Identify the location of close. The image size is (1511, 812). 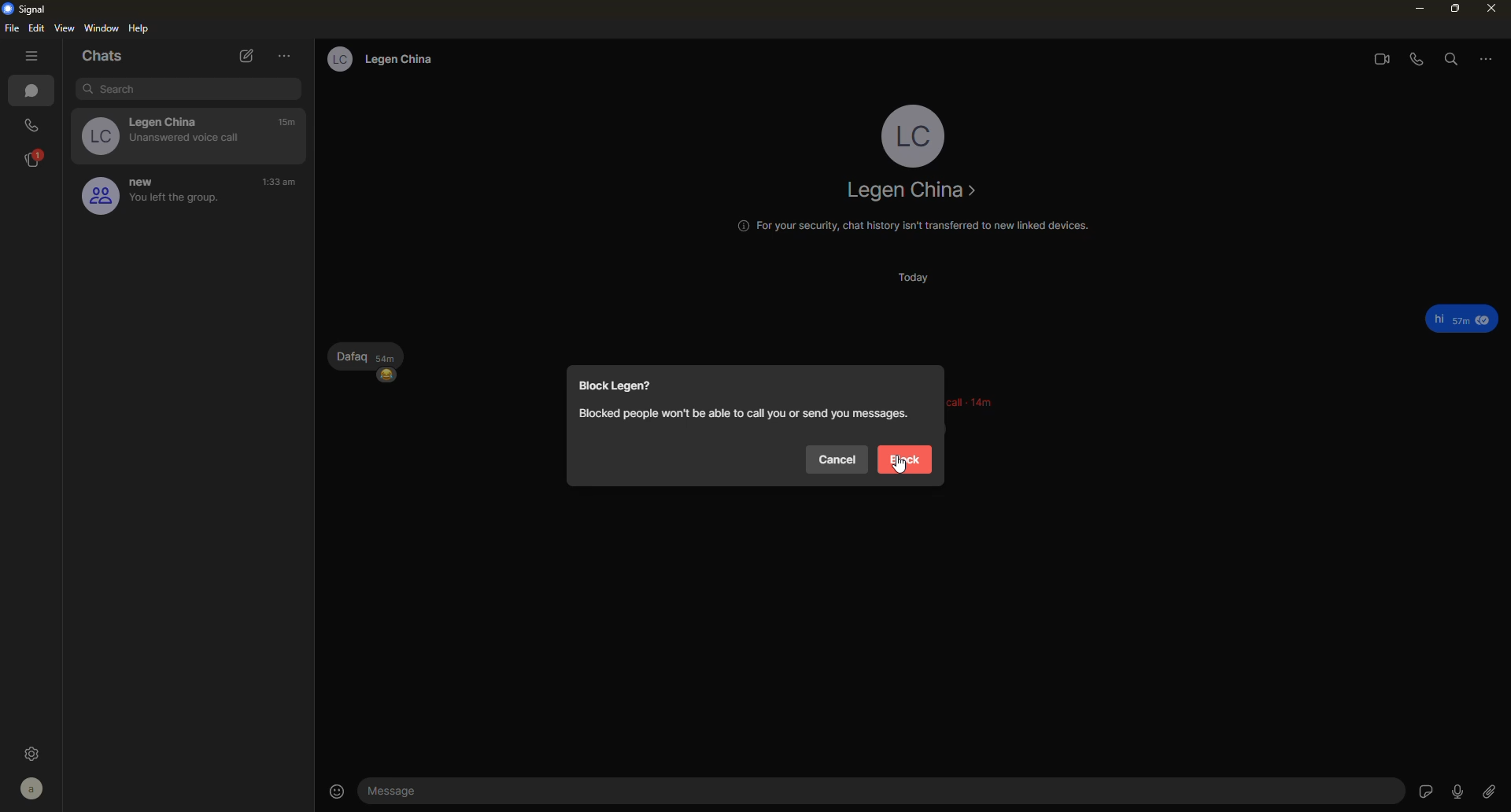
(1486, 8).